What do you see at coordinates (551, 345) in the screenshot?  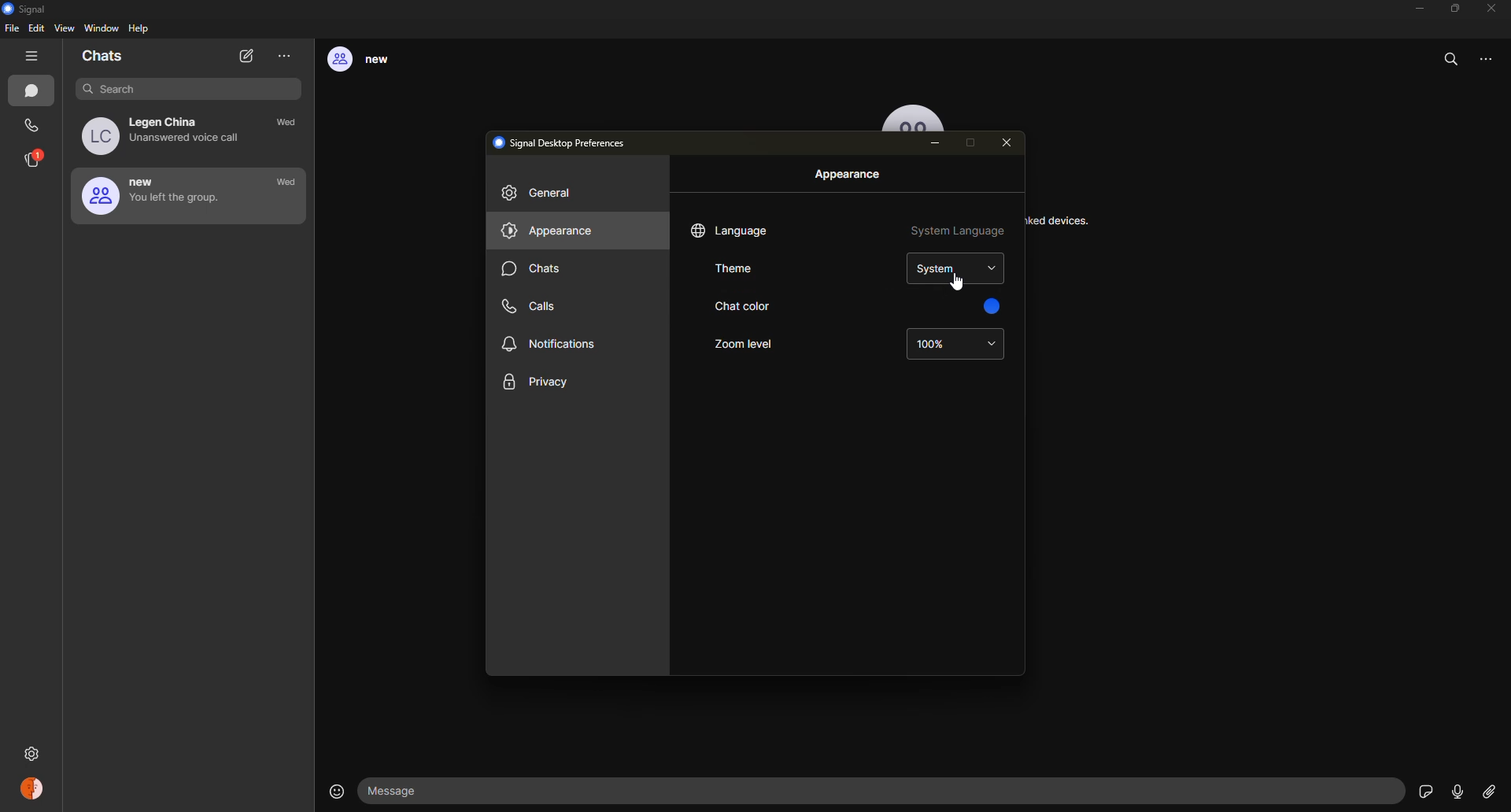 I see `notifications` at bounding box center [551, 345].